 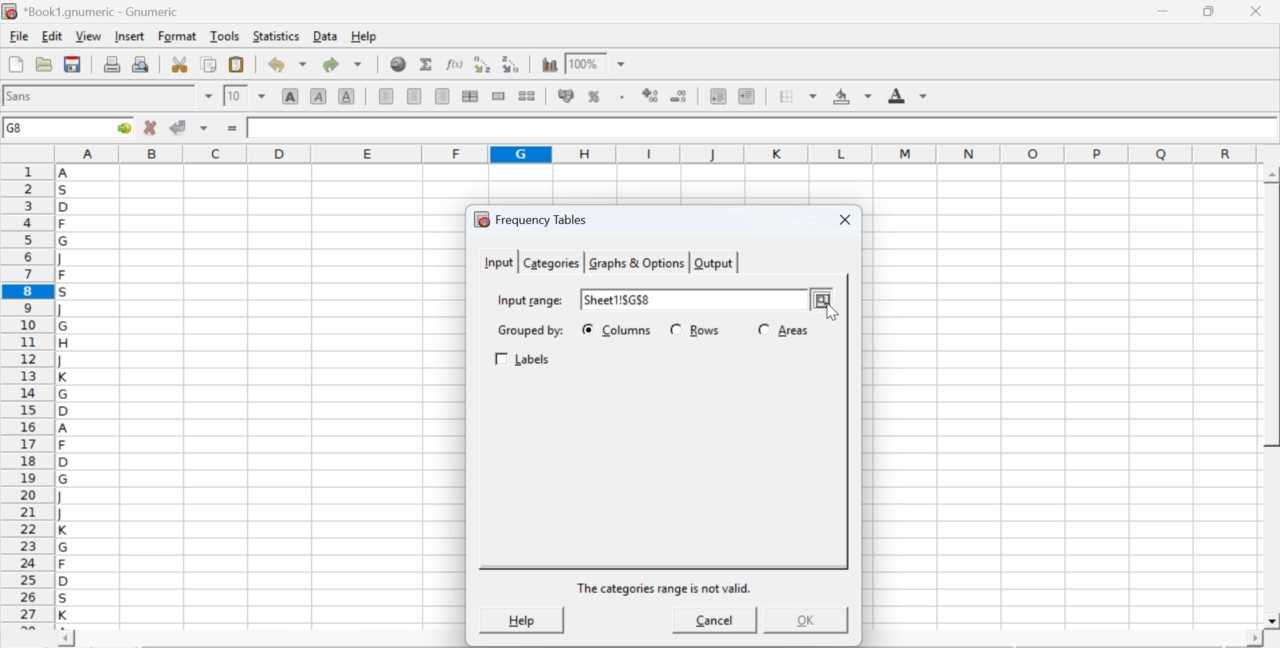 What do you see at coordinates (238, 65) in the screenshot?
I see `paste` at bounding box center [238, 65].